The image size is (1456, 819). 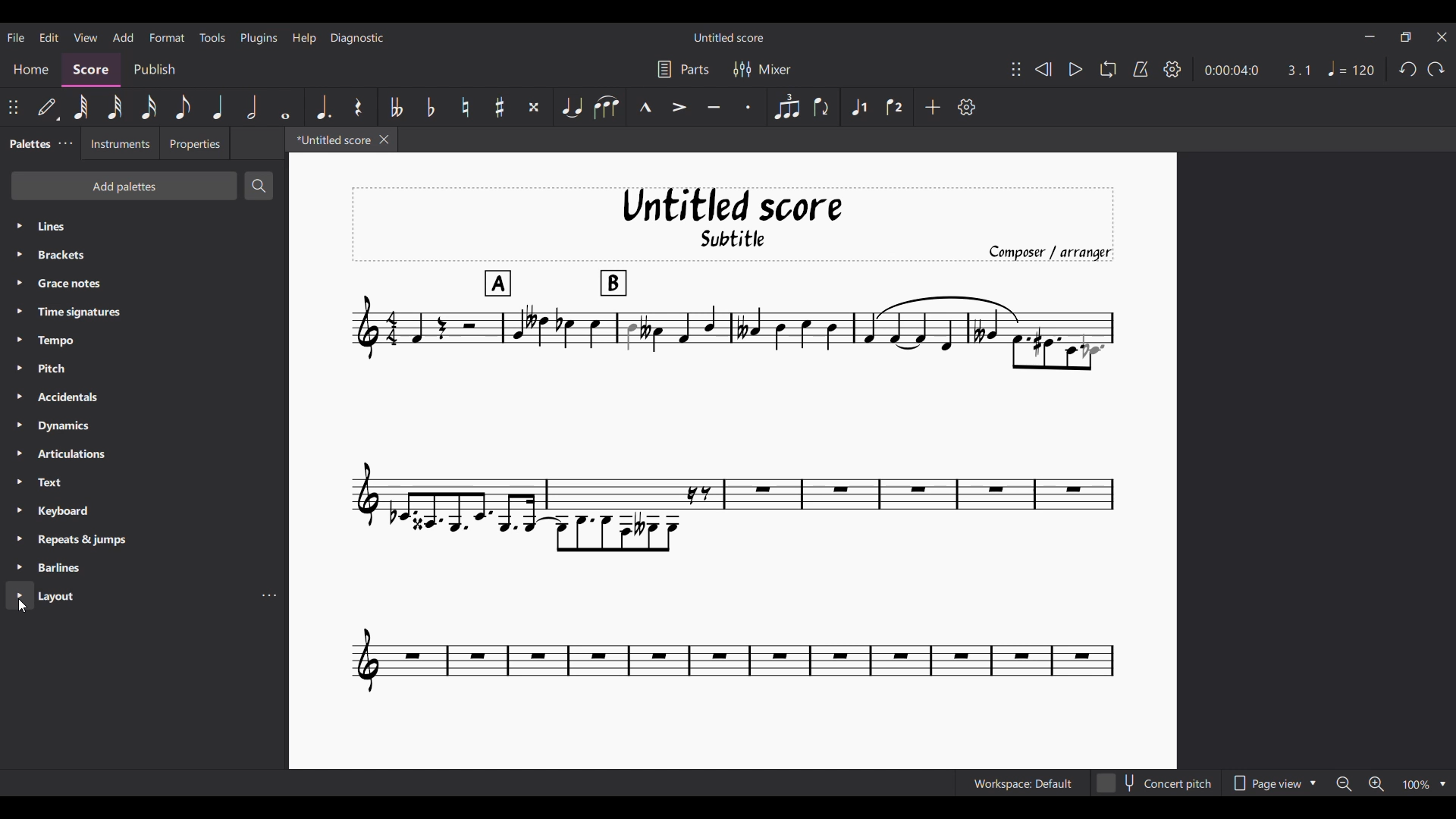 I want to click on Redo, so click(x=1436, y=69).